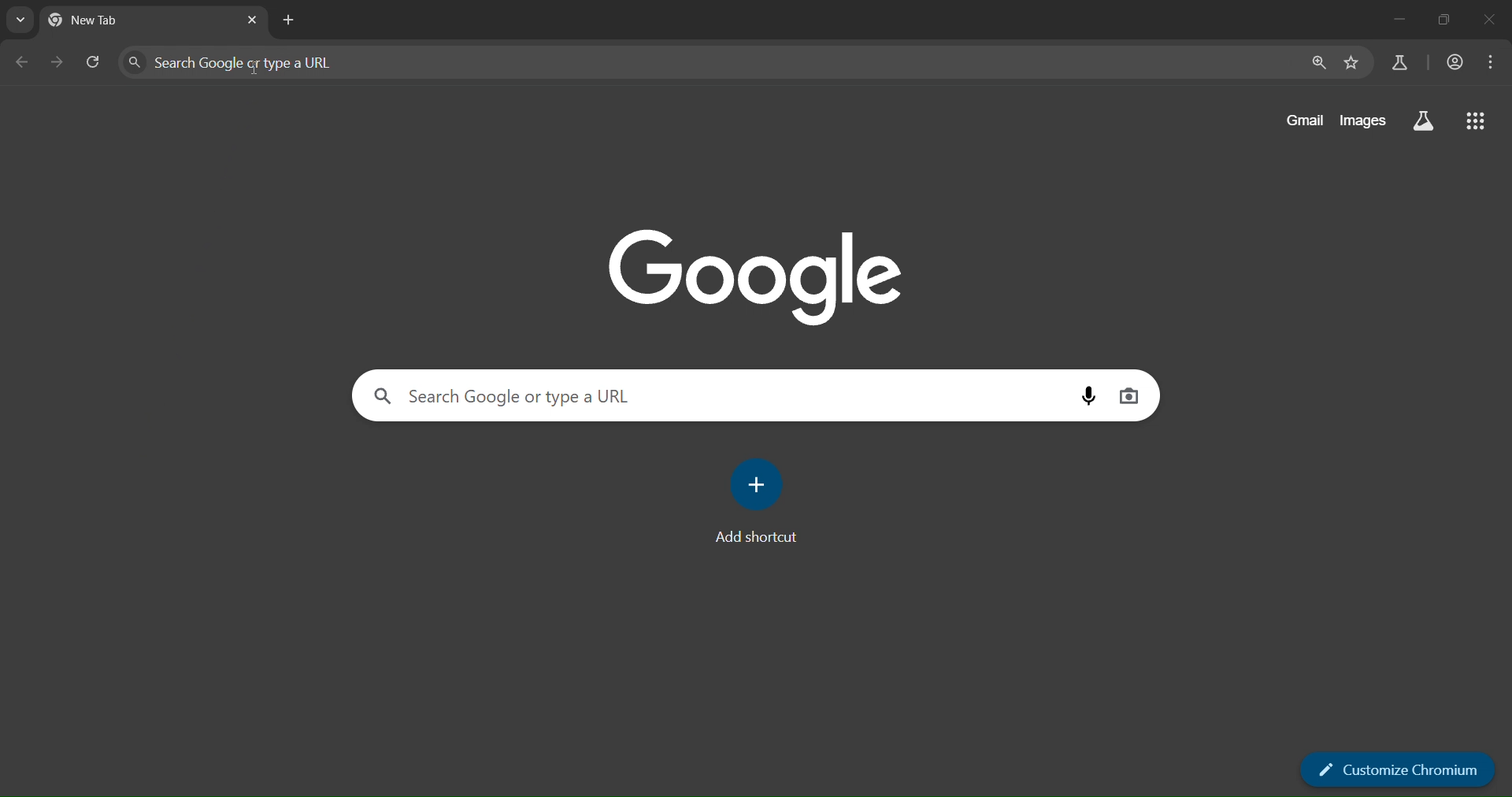 This screenshot has width=1512, height=797. I want to click on voice search, so click(1090, 395).